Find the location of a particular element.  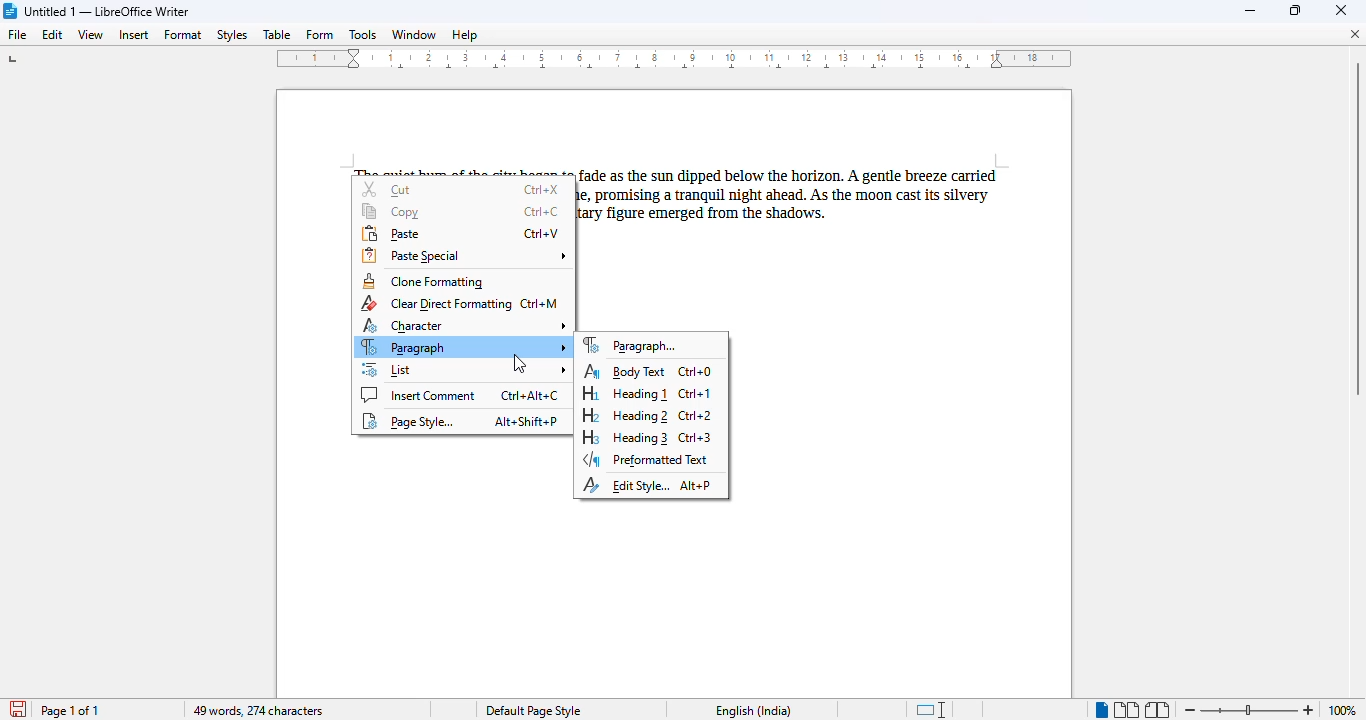

heading 2 is located at coordinates (647, 415).